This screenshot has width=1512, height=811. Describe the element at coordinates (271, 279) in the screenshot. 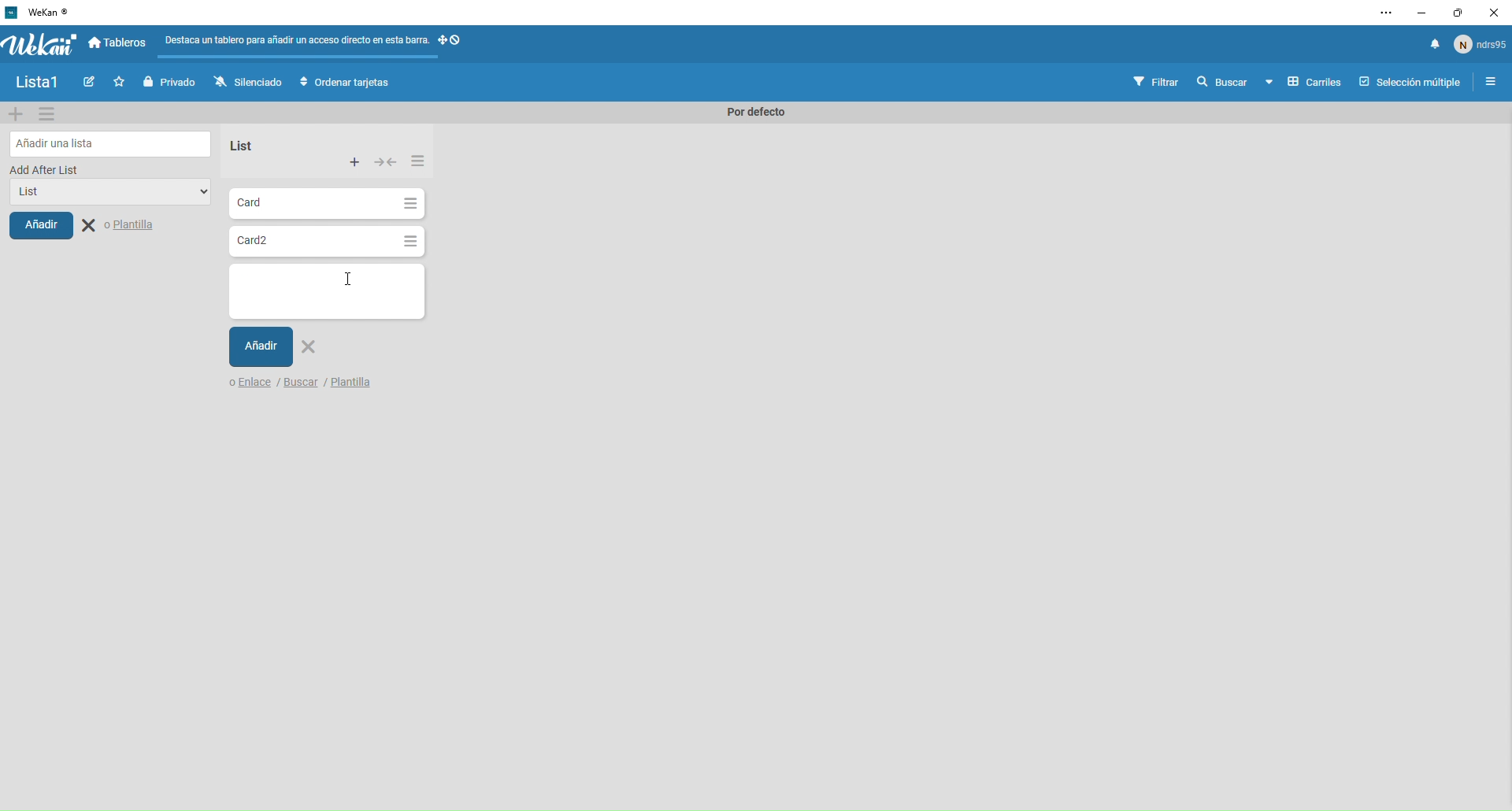

I see `card name` at that location.